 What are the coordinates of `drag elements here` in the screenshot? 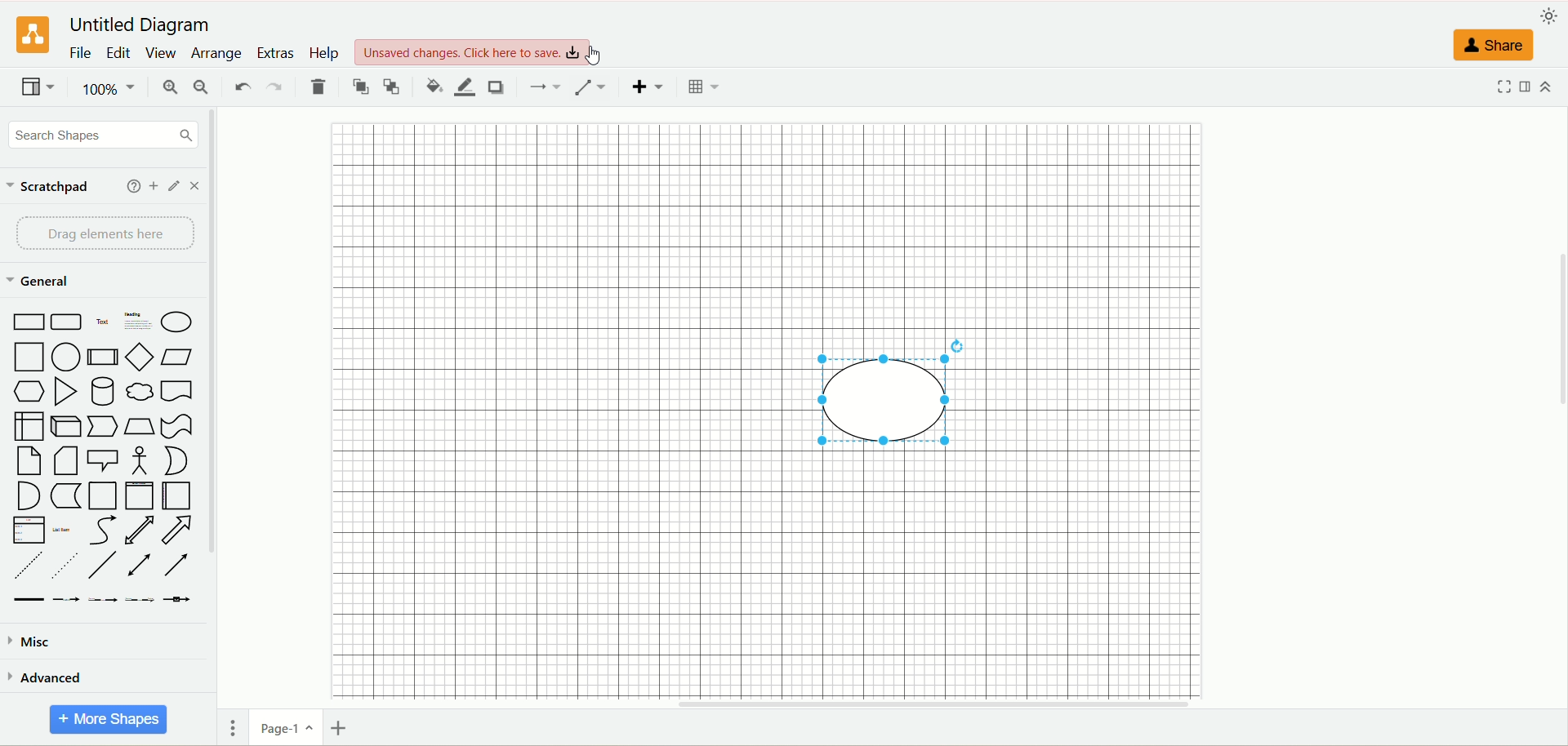 It's located at (102, 233).